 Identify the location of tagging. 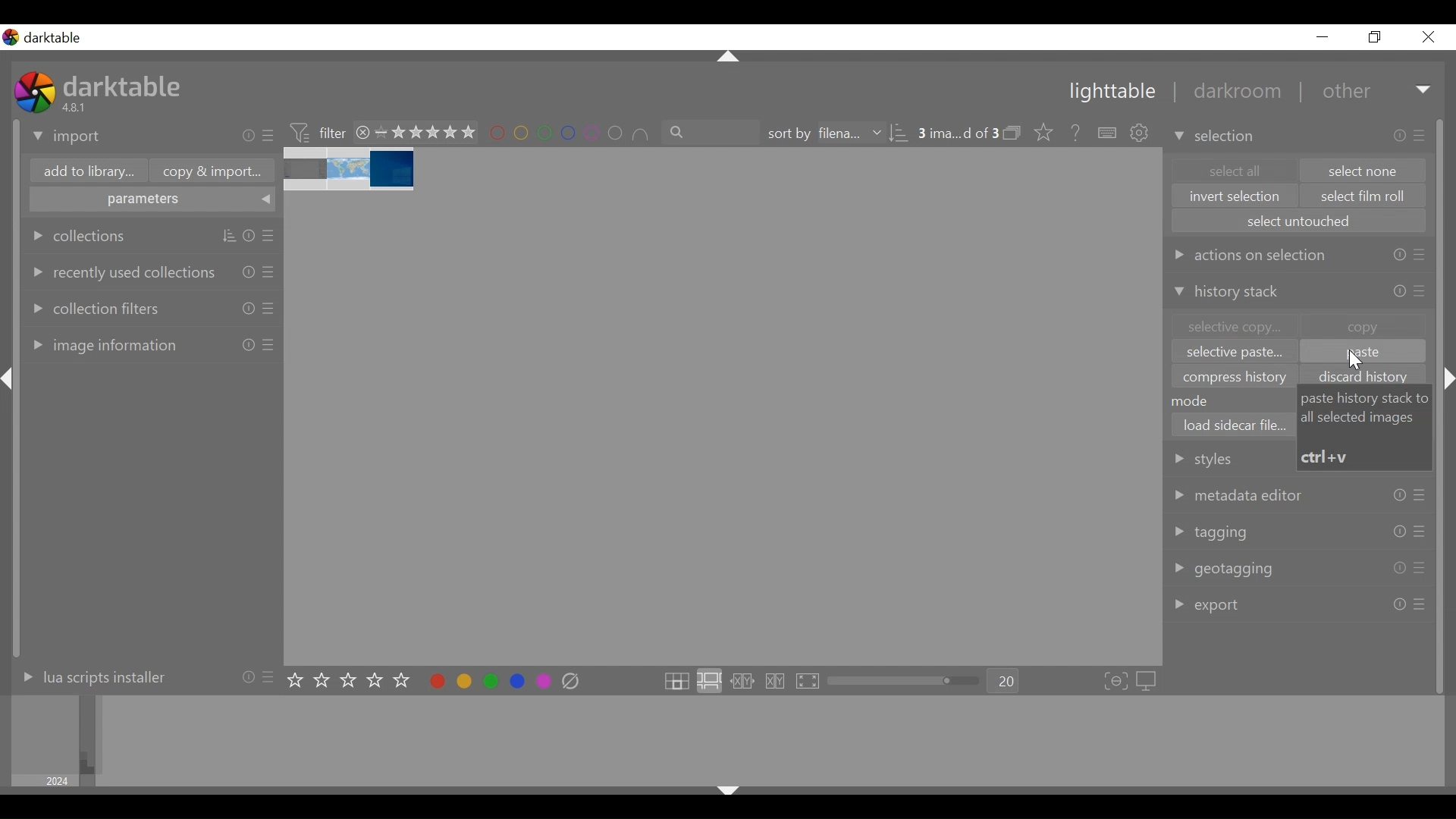
(1211, 532).